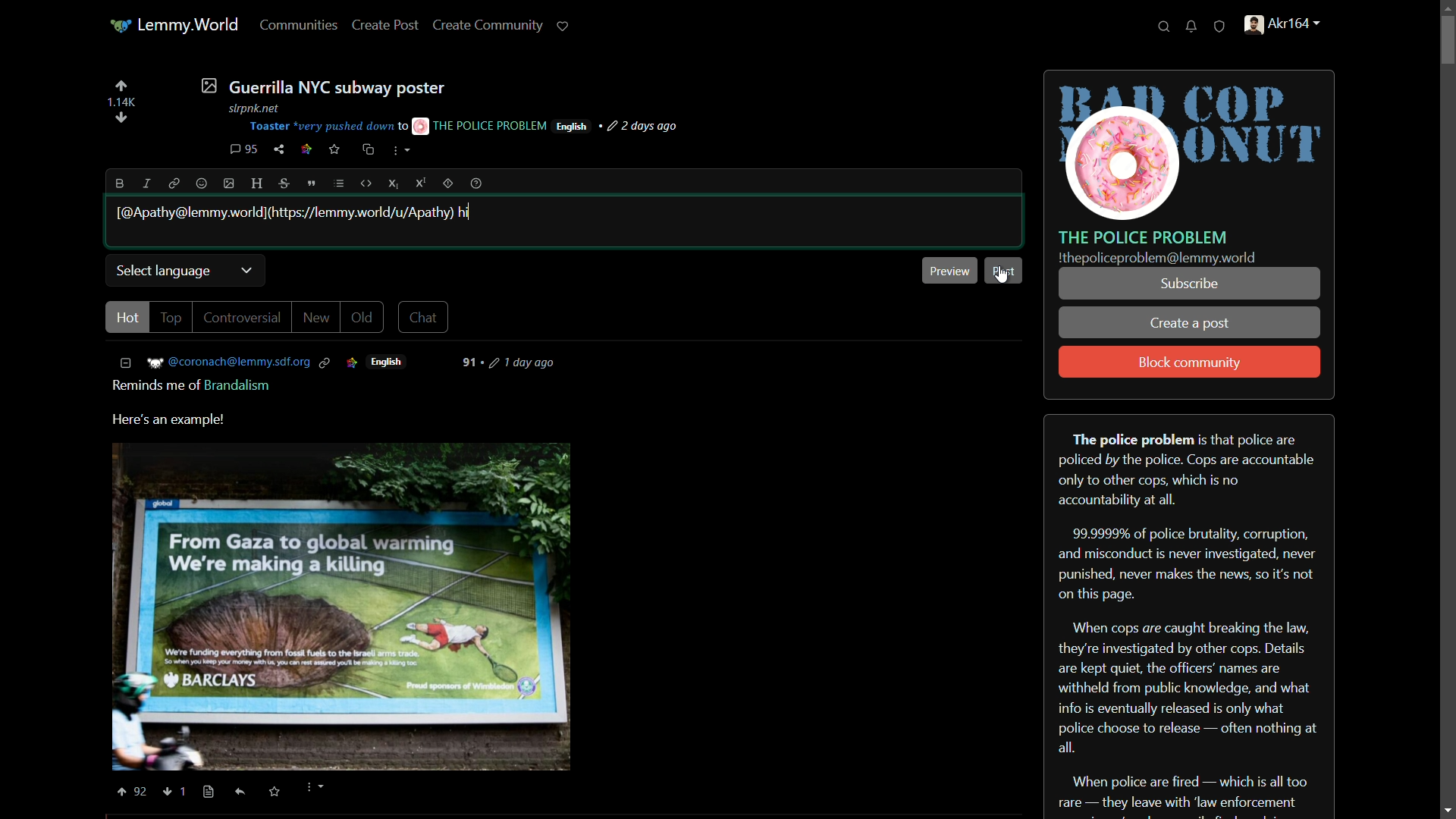  What do you see at coordinates (472, 212) in the screenshot?
I see `text cursor` at bounding box center [472, 212].